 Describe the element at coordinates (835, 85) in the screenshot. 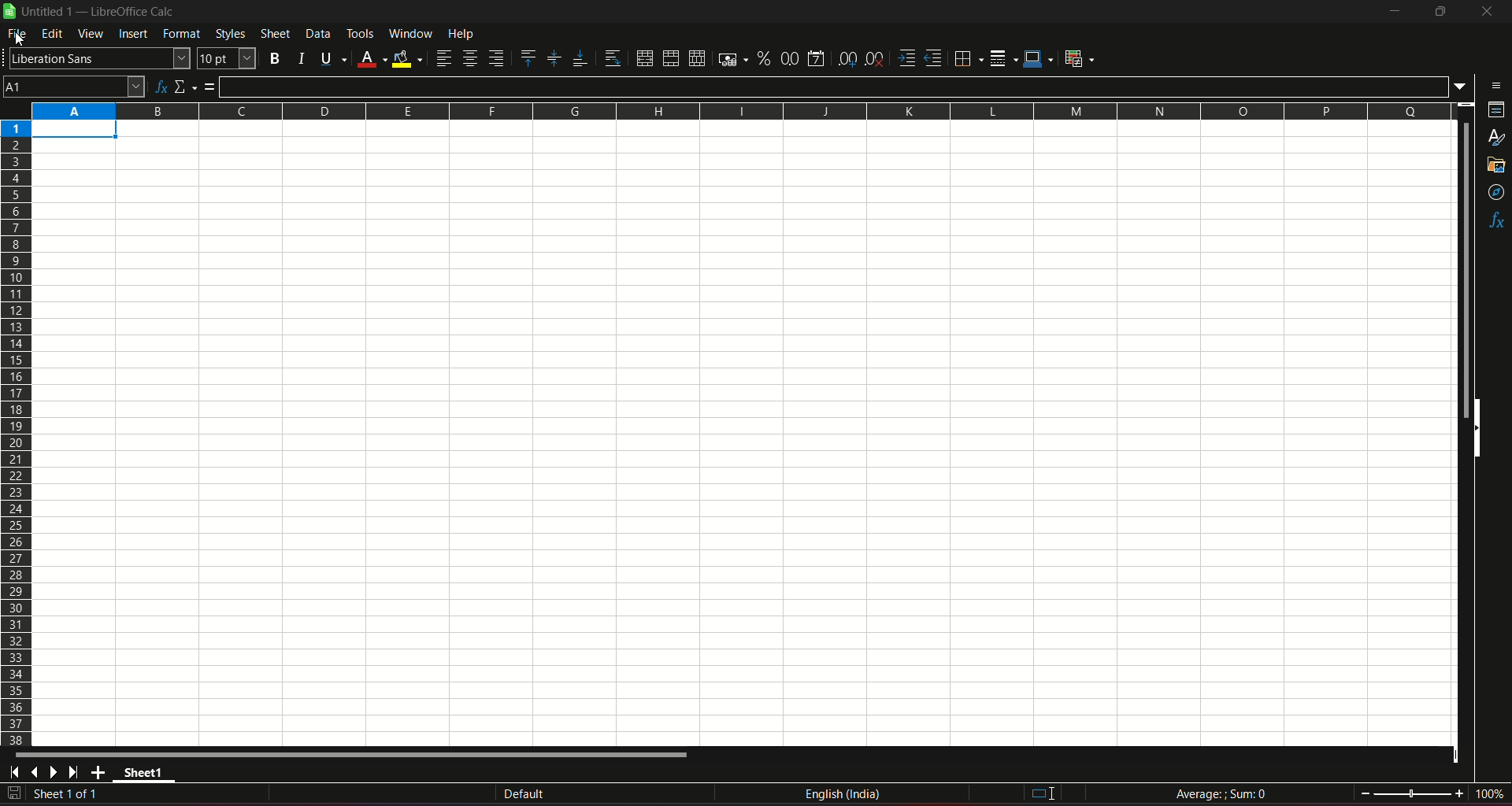

I see `input line` at that location.